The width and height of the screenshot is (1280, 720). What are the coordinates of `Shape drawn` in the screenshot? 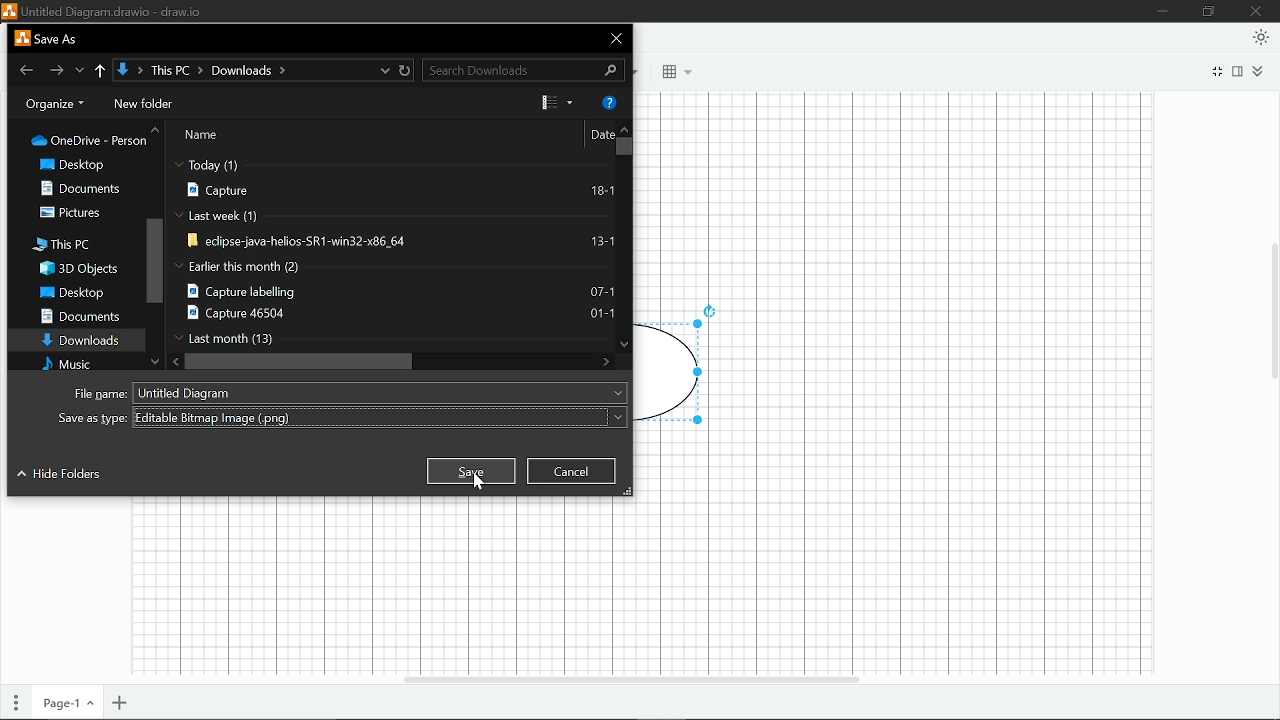 It's located at (681, 366).